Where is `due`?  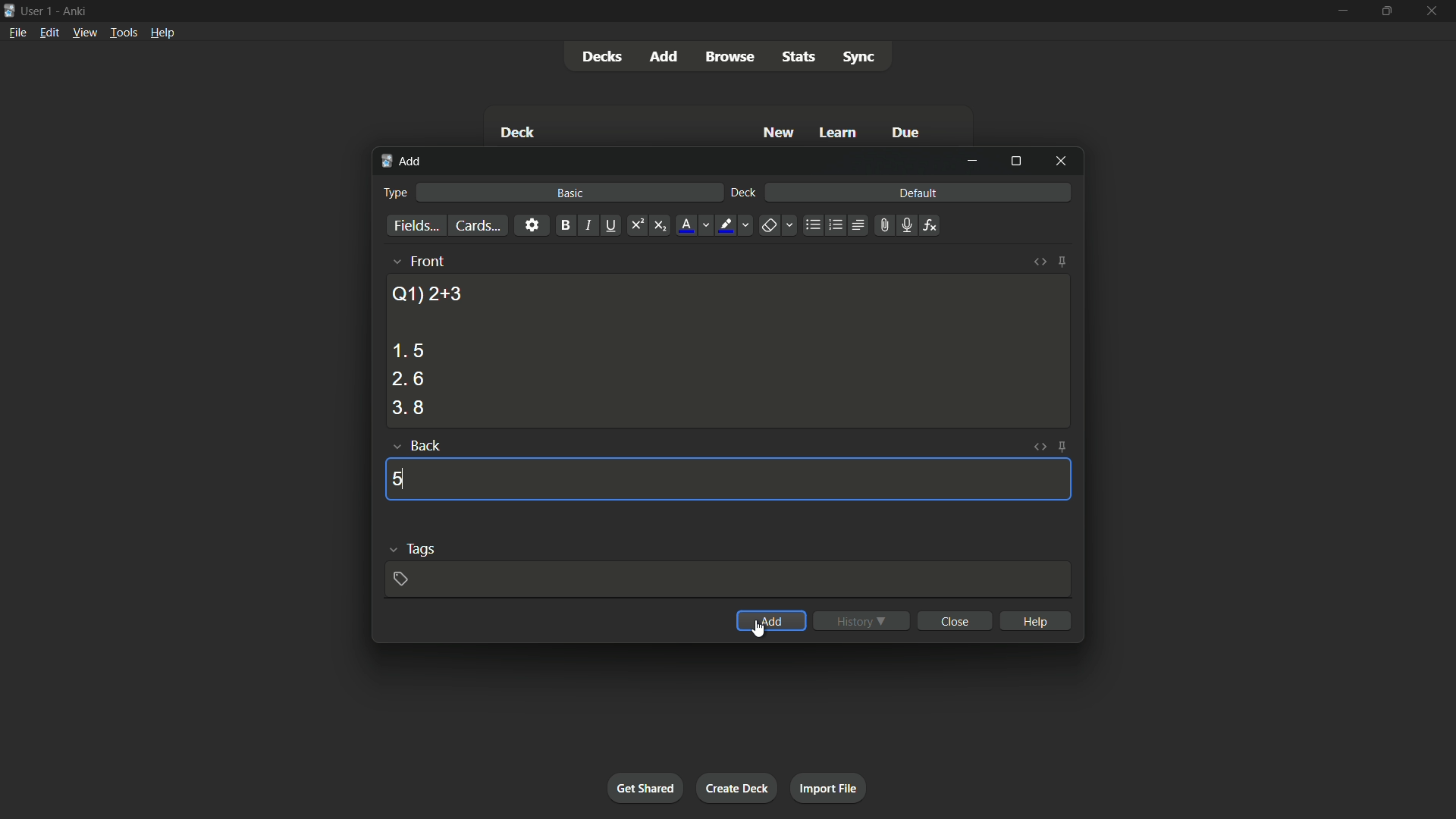 due is located at coordinates (906, 134).